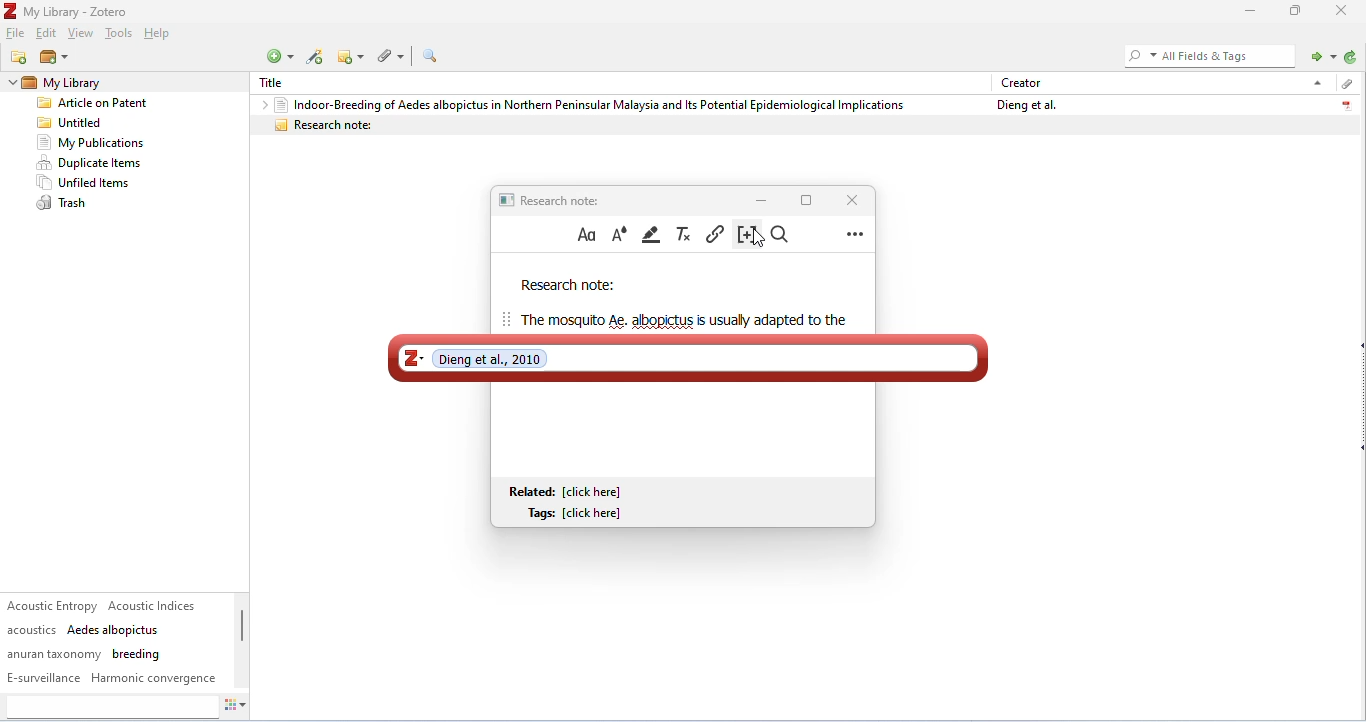 This screenshot has height=722, width=1366. Describe the element at coordinates (685, 234) in the screenshot. I see `clear formatting` at that location.